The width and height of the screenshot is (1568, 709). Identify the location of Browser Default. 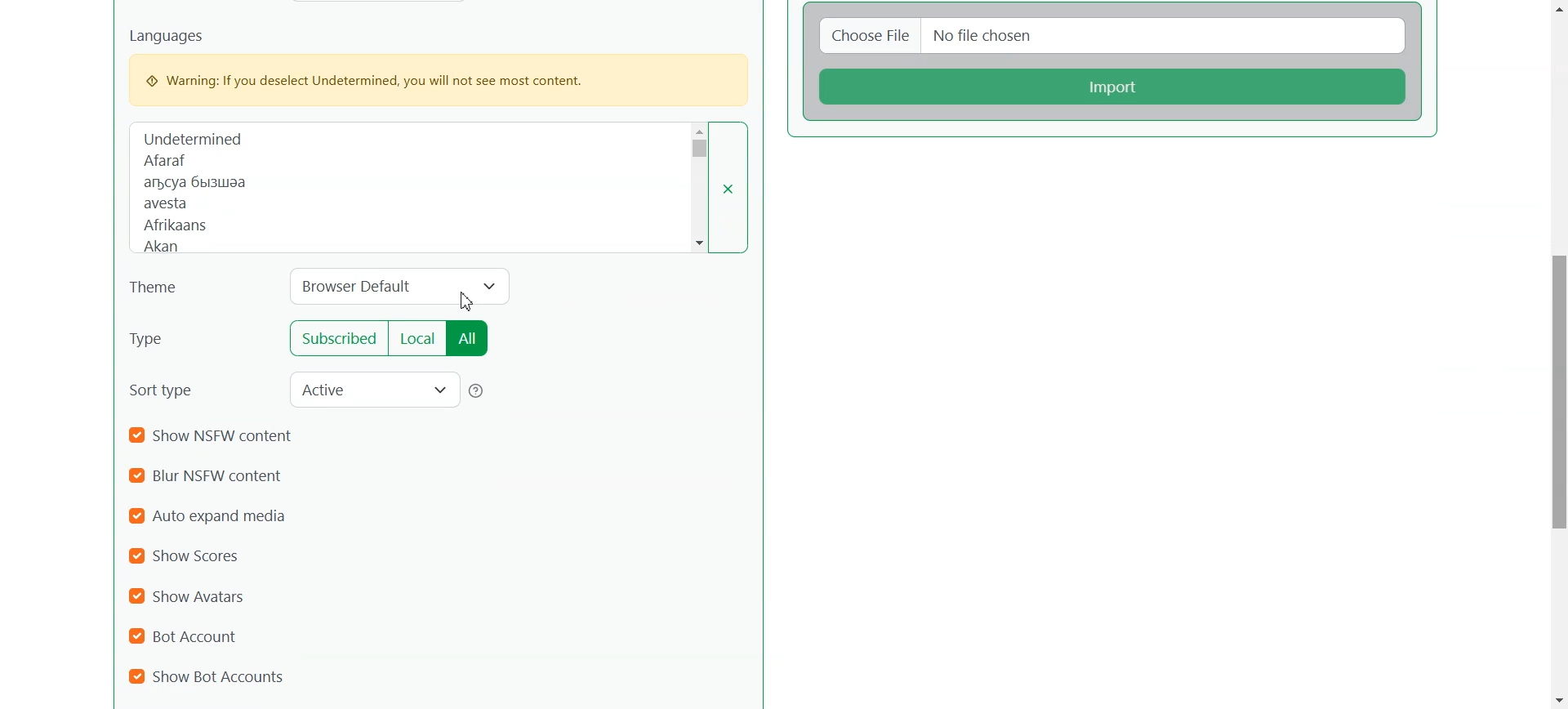
(401, 288).